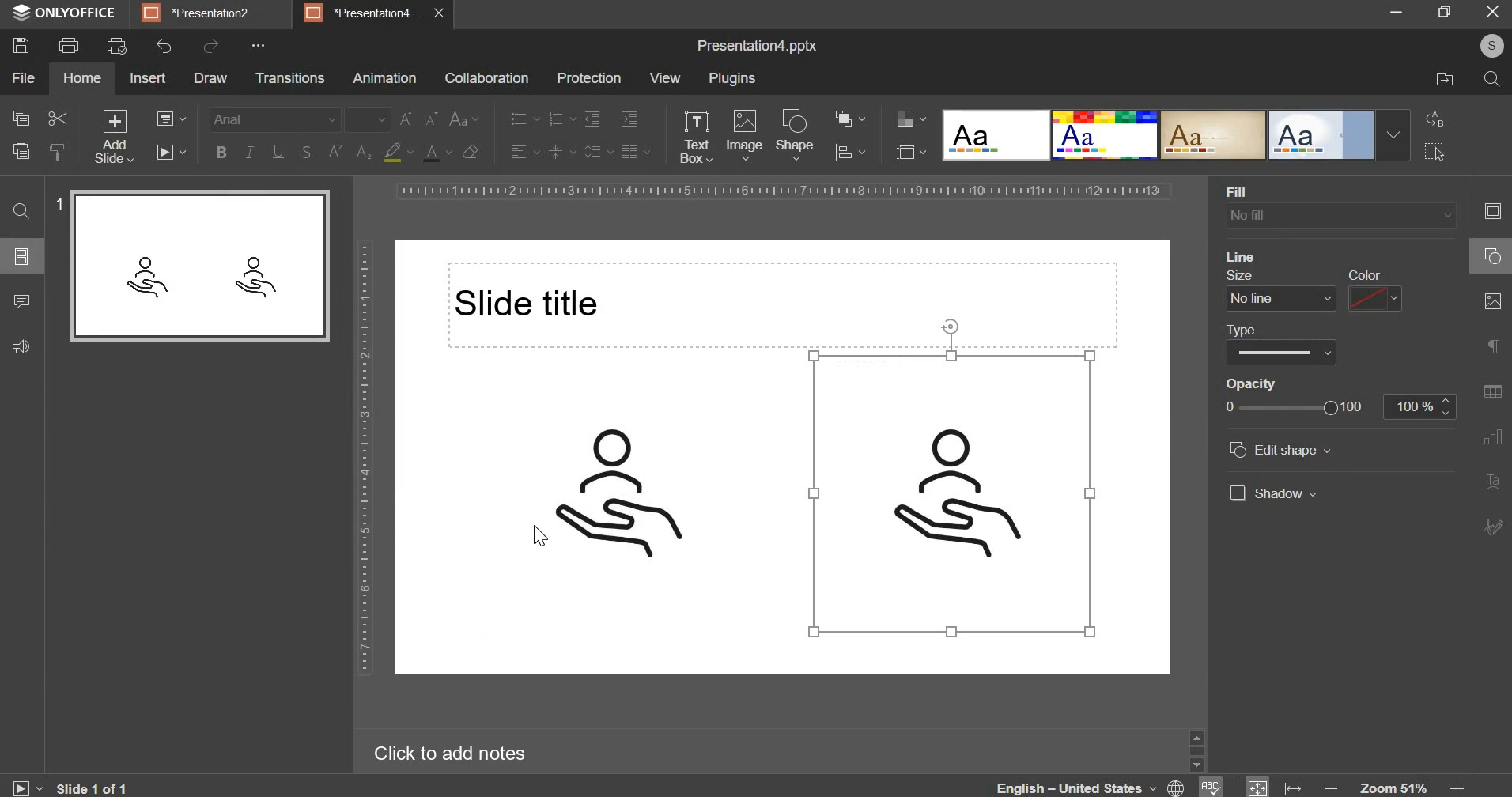 This screenshot has width=1512, height=797. Describe the element at coordinates (211, 47) in the screenshot. I see `redo` at that location.